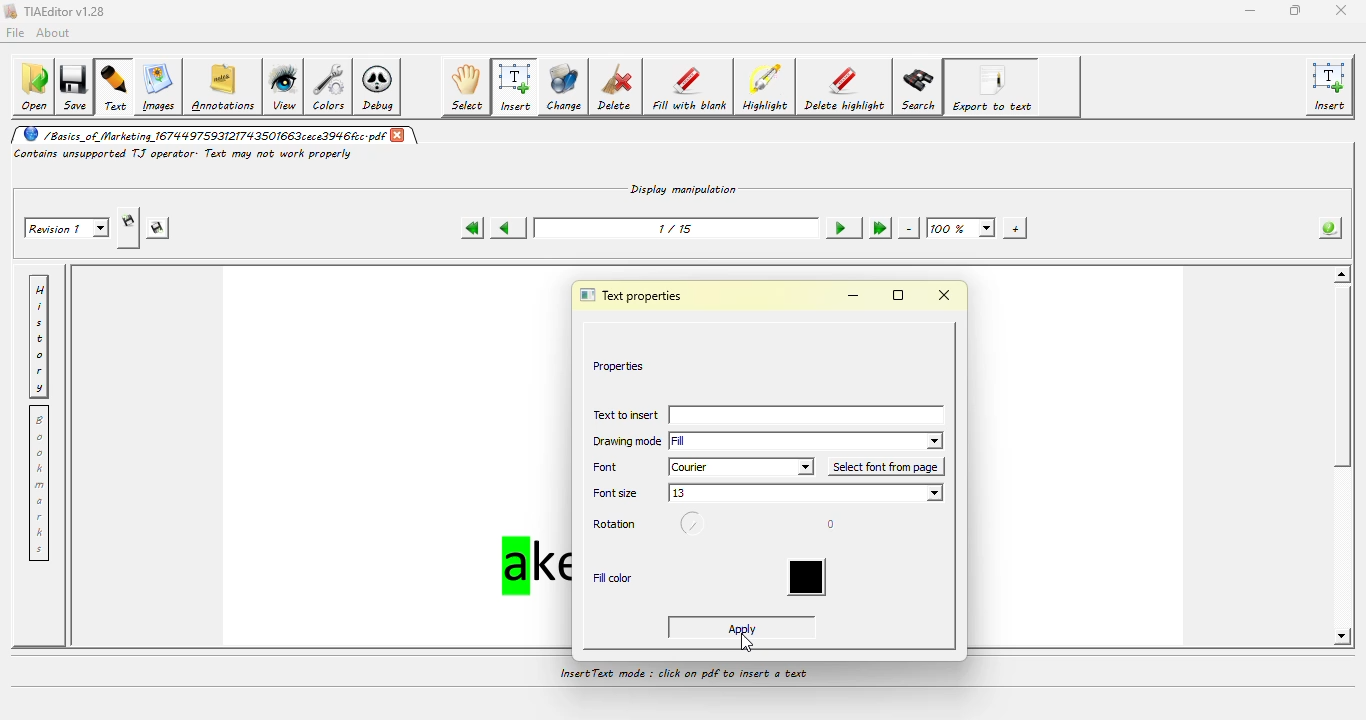  Describe the element at coordinates (468, 87) in the screenshot. I see `select` at that location.